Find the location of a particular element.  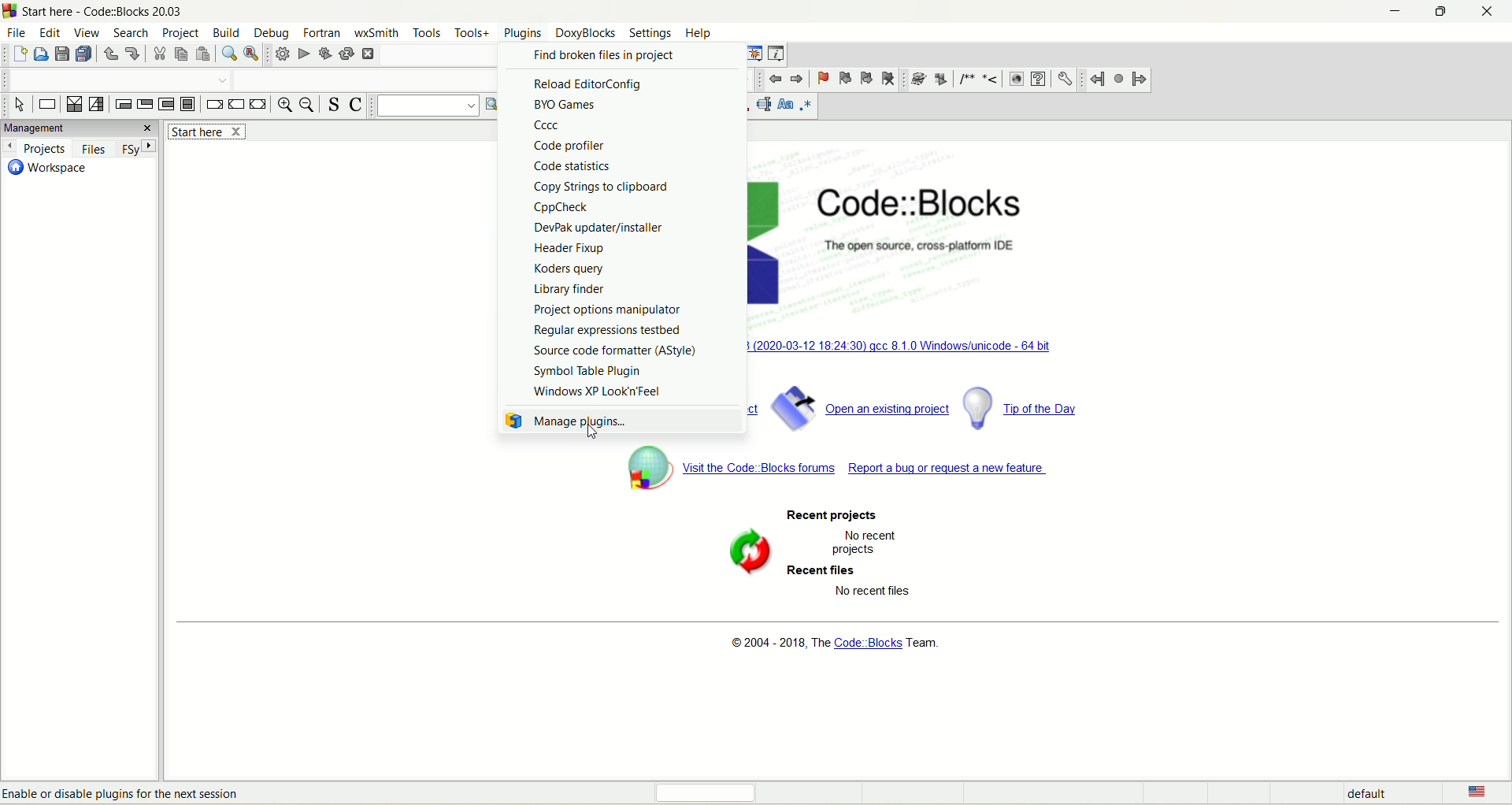

previous bookmark is located at coordinates (845, 78).